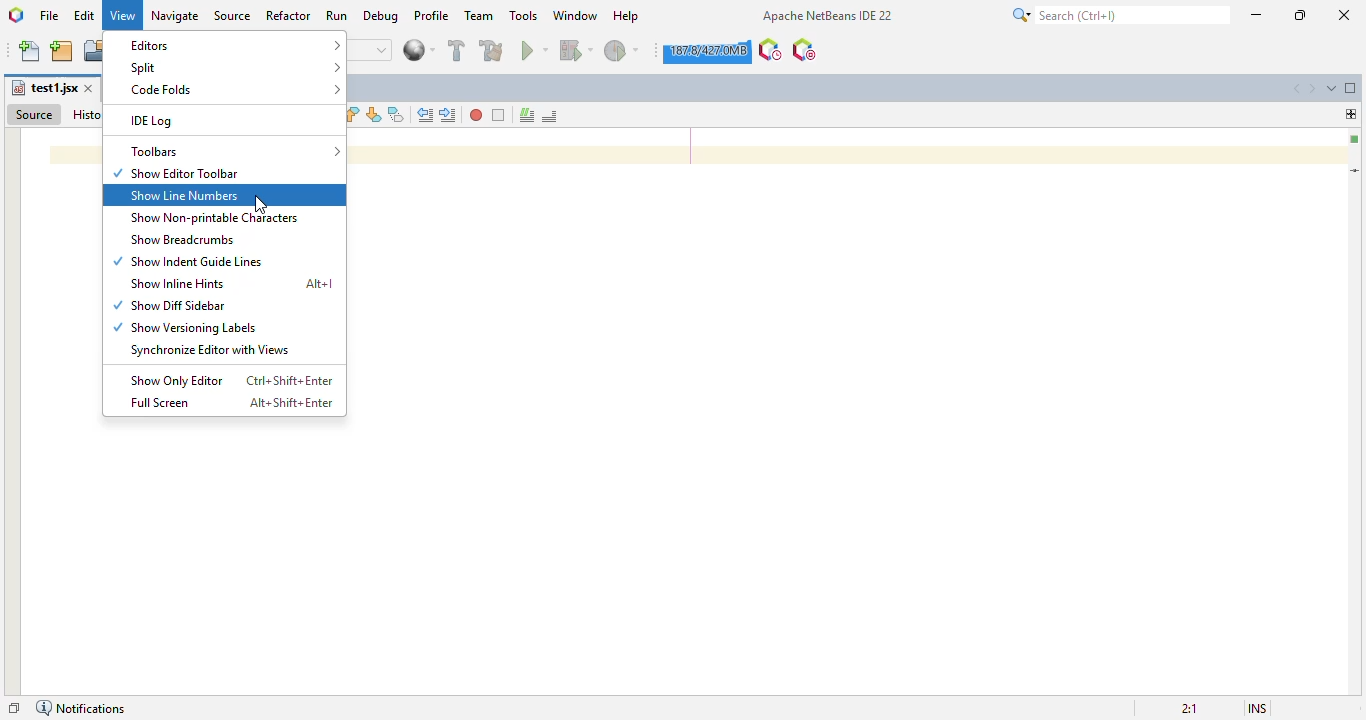  Describe the element at coordinates (448, 115) in the screenshot. I see `shift line right` at that location.